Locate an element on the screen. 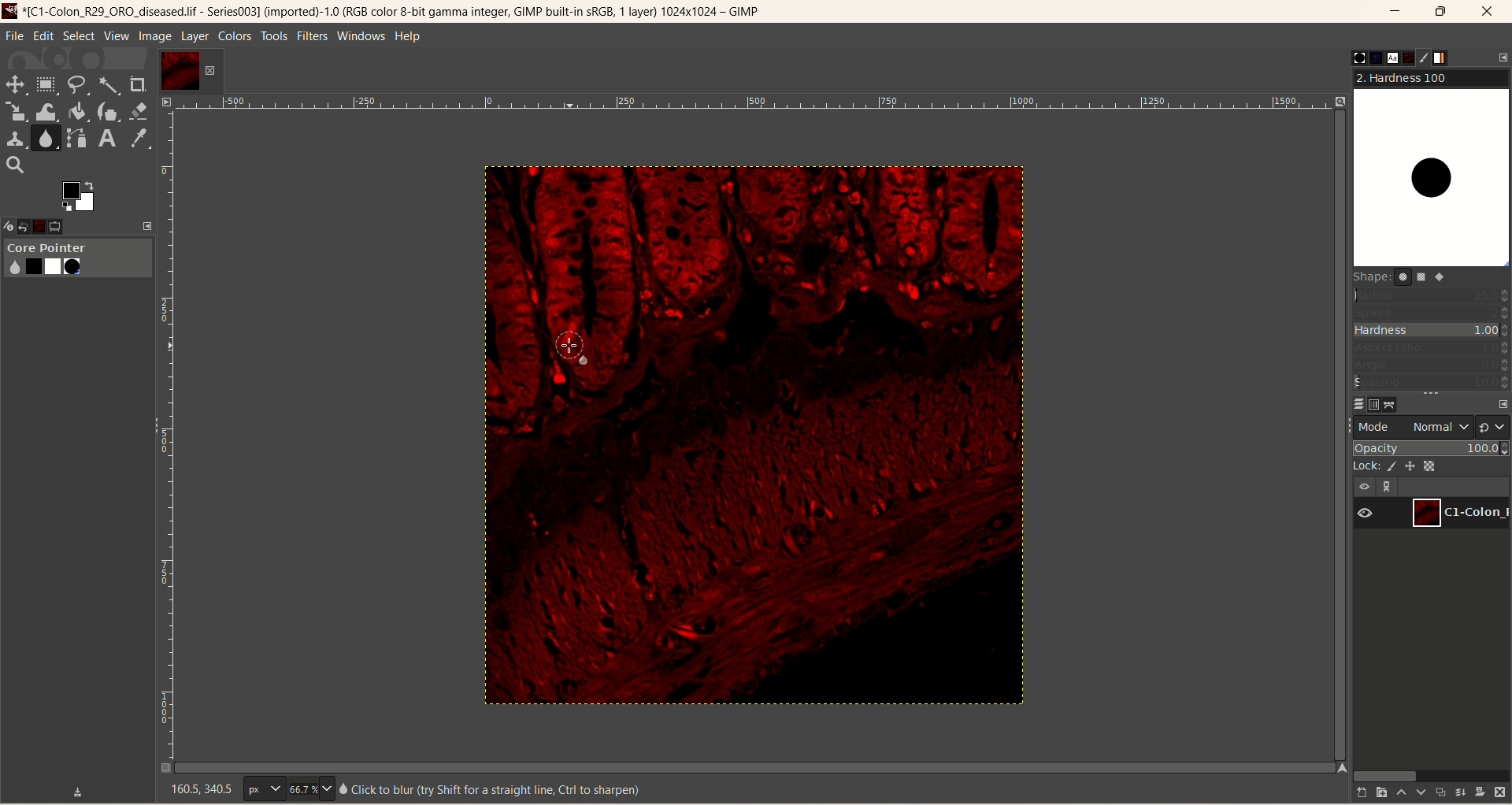  image is located at coordinates (741, 440).